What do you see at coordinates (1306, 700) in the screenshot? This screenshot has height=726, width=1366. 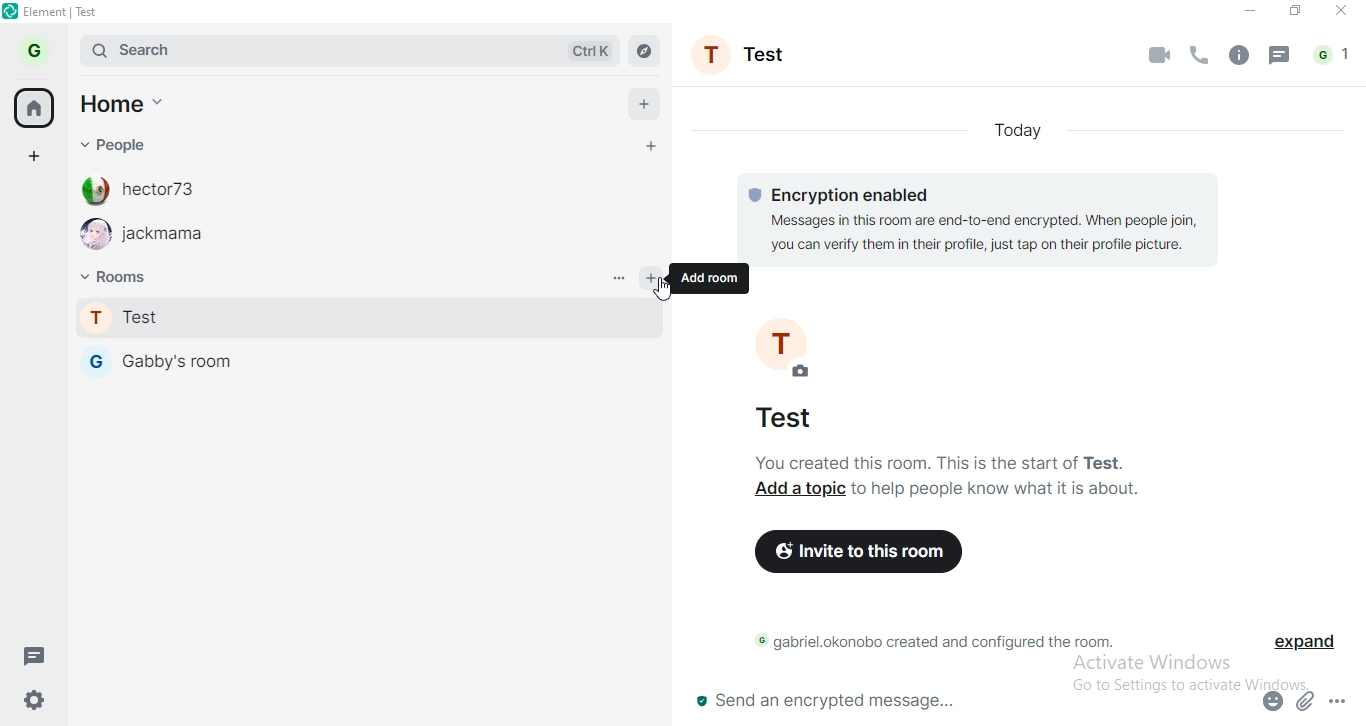 I see `attachment` at bounding box center [1306, 700].